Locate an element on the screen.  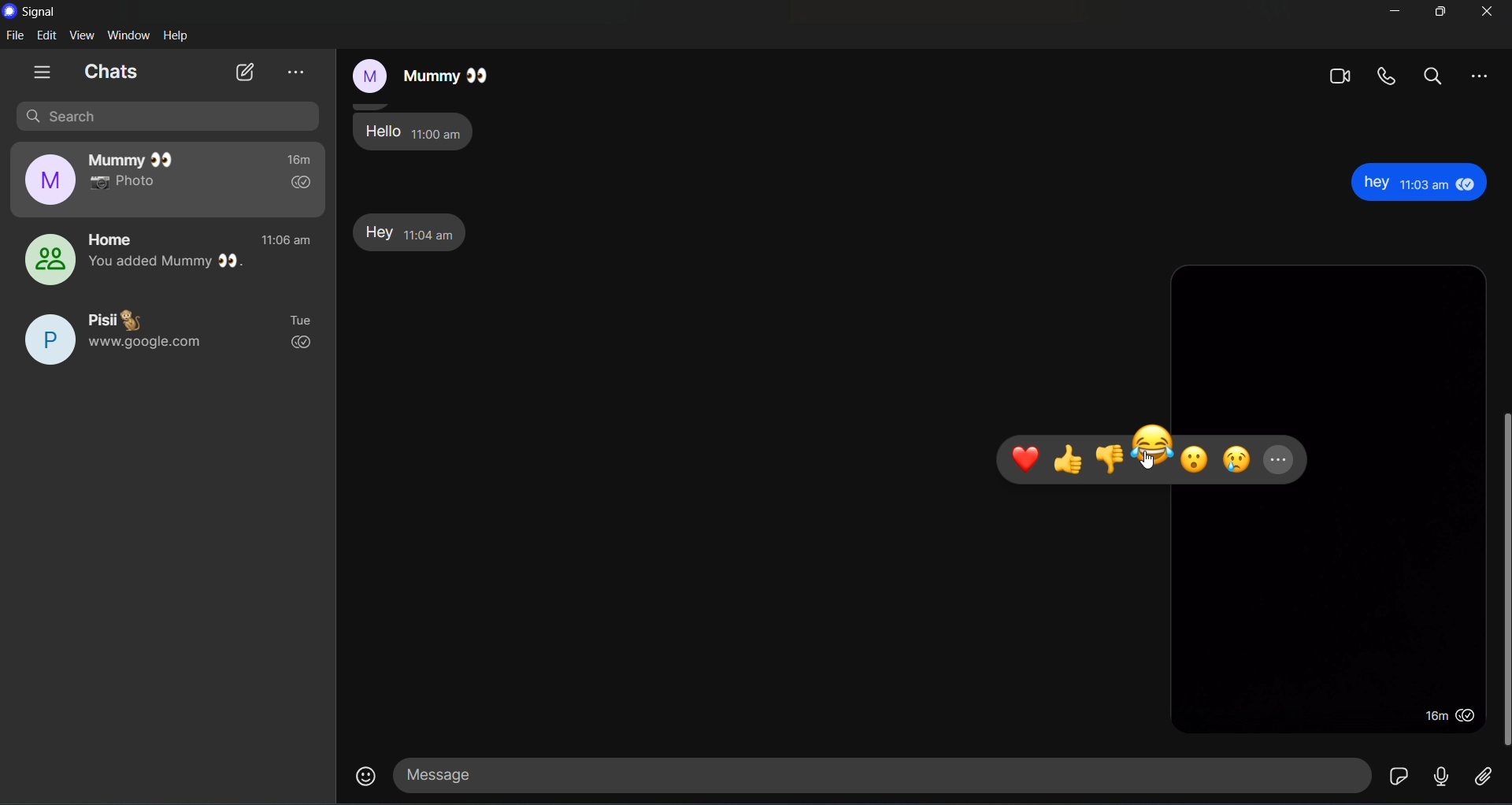
message is located at coordinates (876, 773).